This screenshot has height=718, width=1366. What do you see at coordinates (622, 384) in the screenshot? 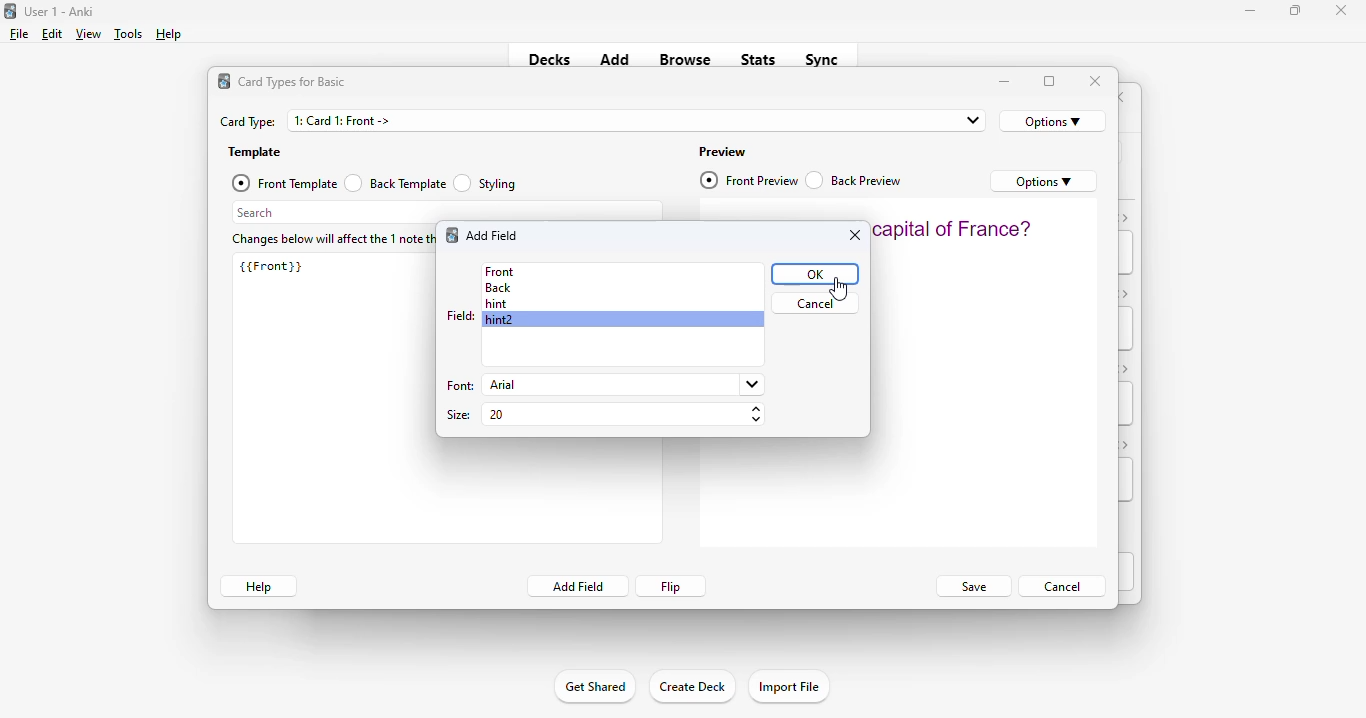
I see `arial` at bounding box center [622, 384].